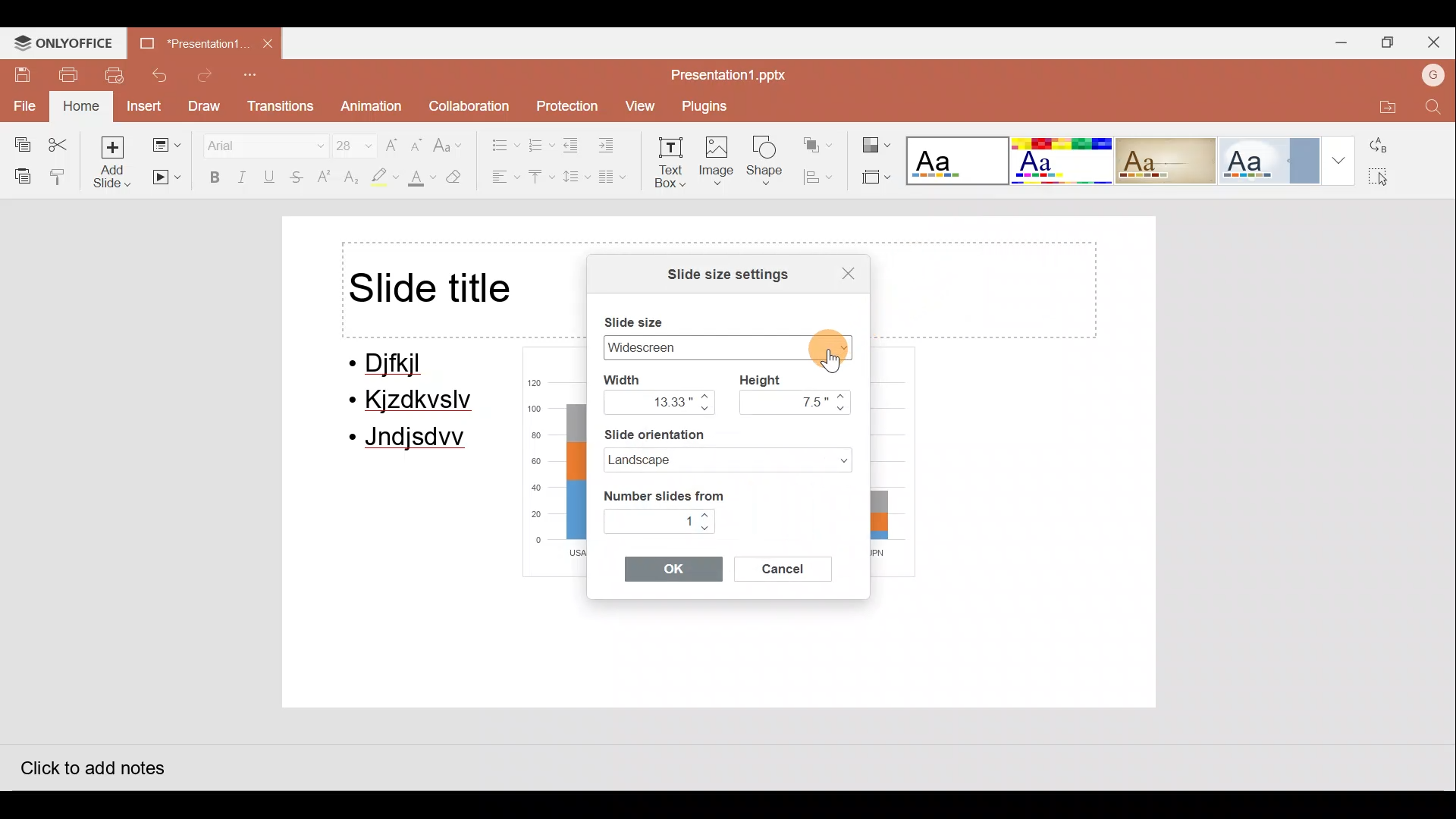  What do you see at coordinates (831, 458) in the screenshot?
I see `Slide orientation dropdown` at bounding box center [831, 458].